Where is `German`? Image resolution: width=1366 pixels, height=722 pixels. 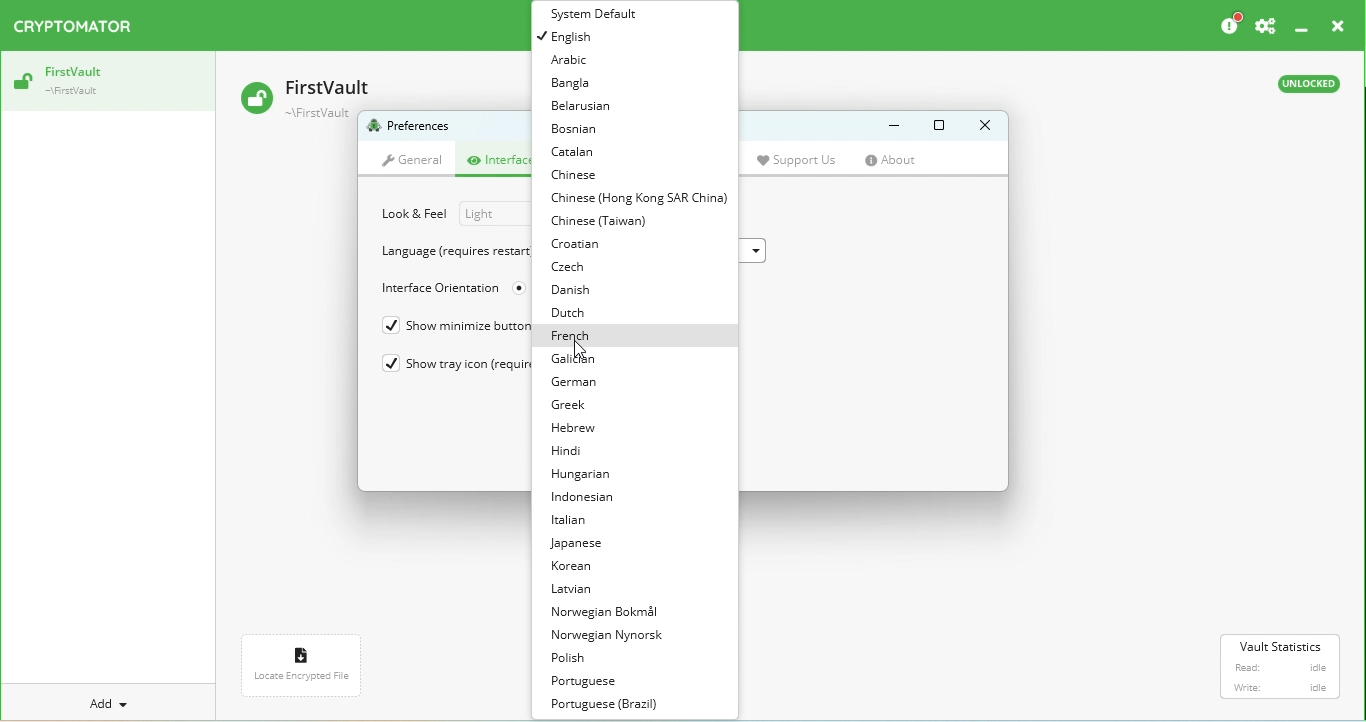 German is located at coordinates (580, 381).